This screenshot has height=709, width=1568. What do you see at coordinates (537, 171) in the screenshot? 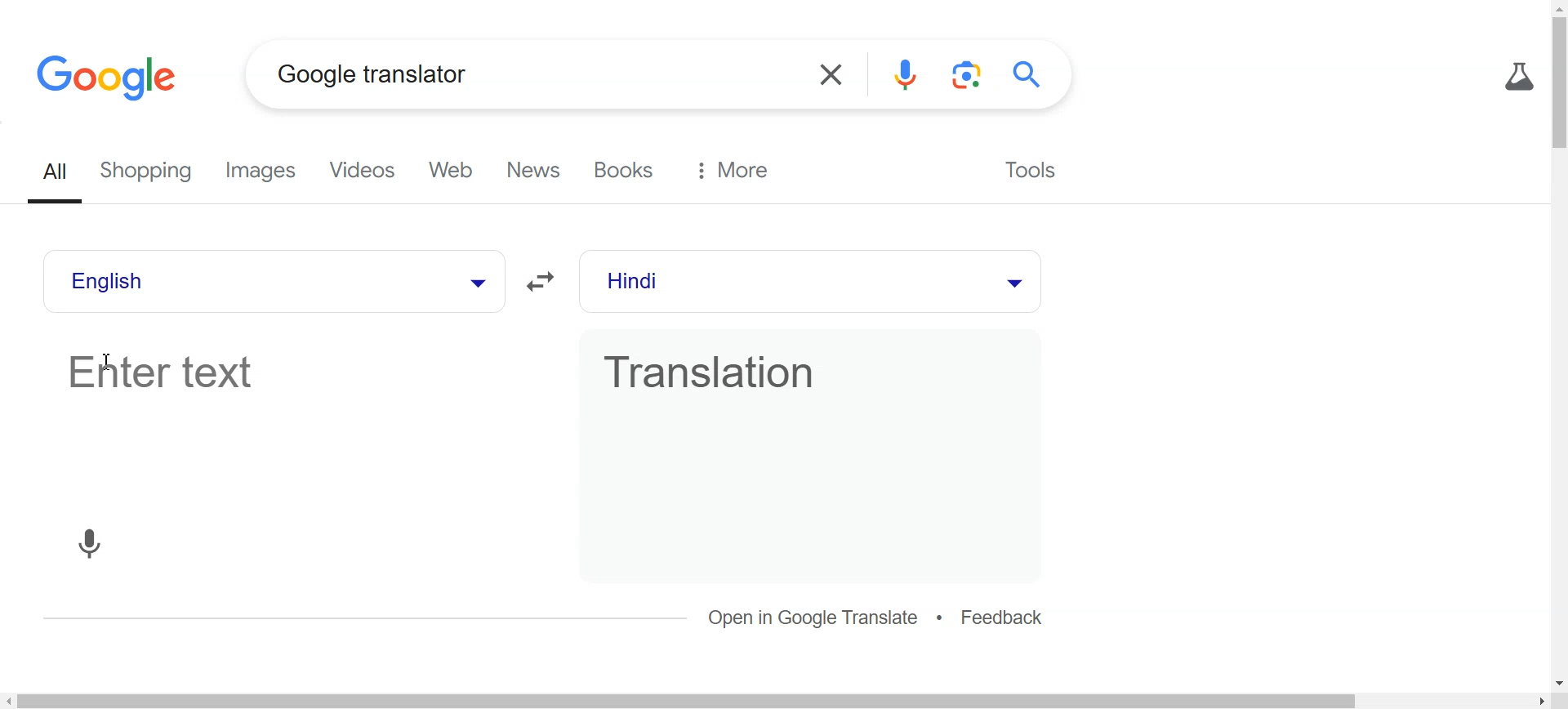
I see `News` at bounding box center [537, 171].